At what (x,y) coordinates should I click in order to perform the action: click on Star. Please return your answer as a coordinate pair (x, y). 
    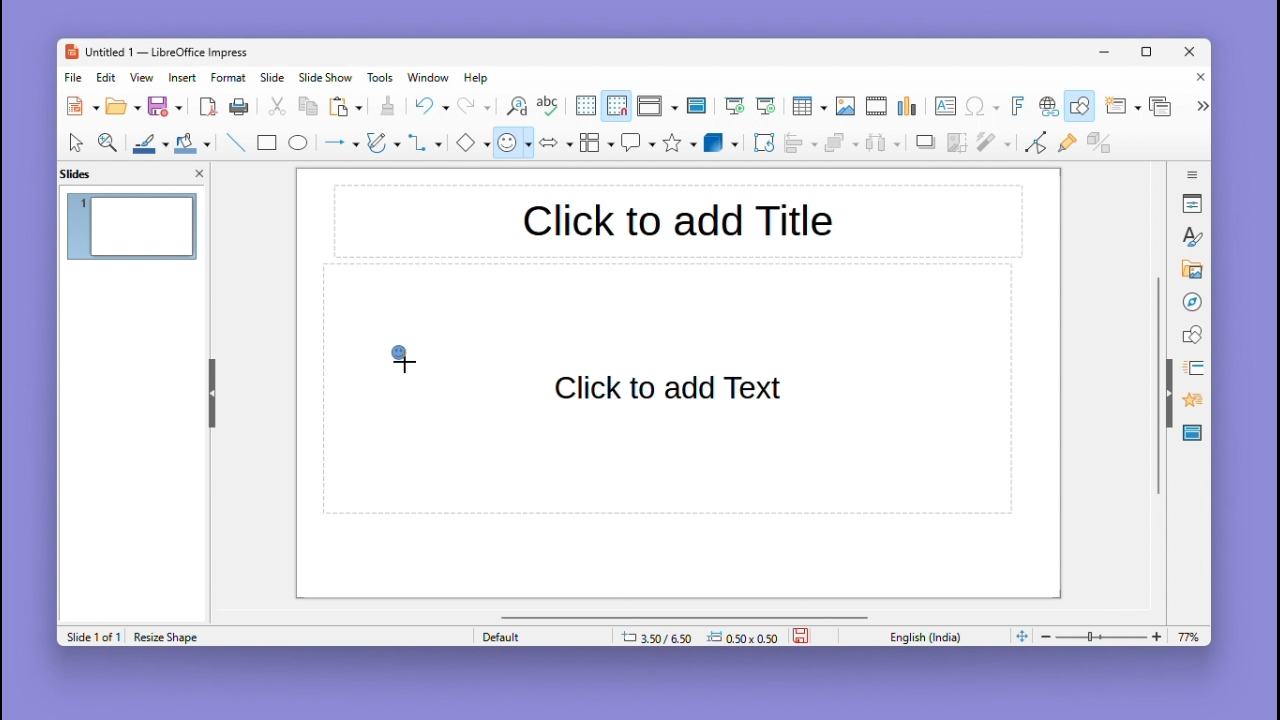
    Looking at the image, I should click on (680, 143).